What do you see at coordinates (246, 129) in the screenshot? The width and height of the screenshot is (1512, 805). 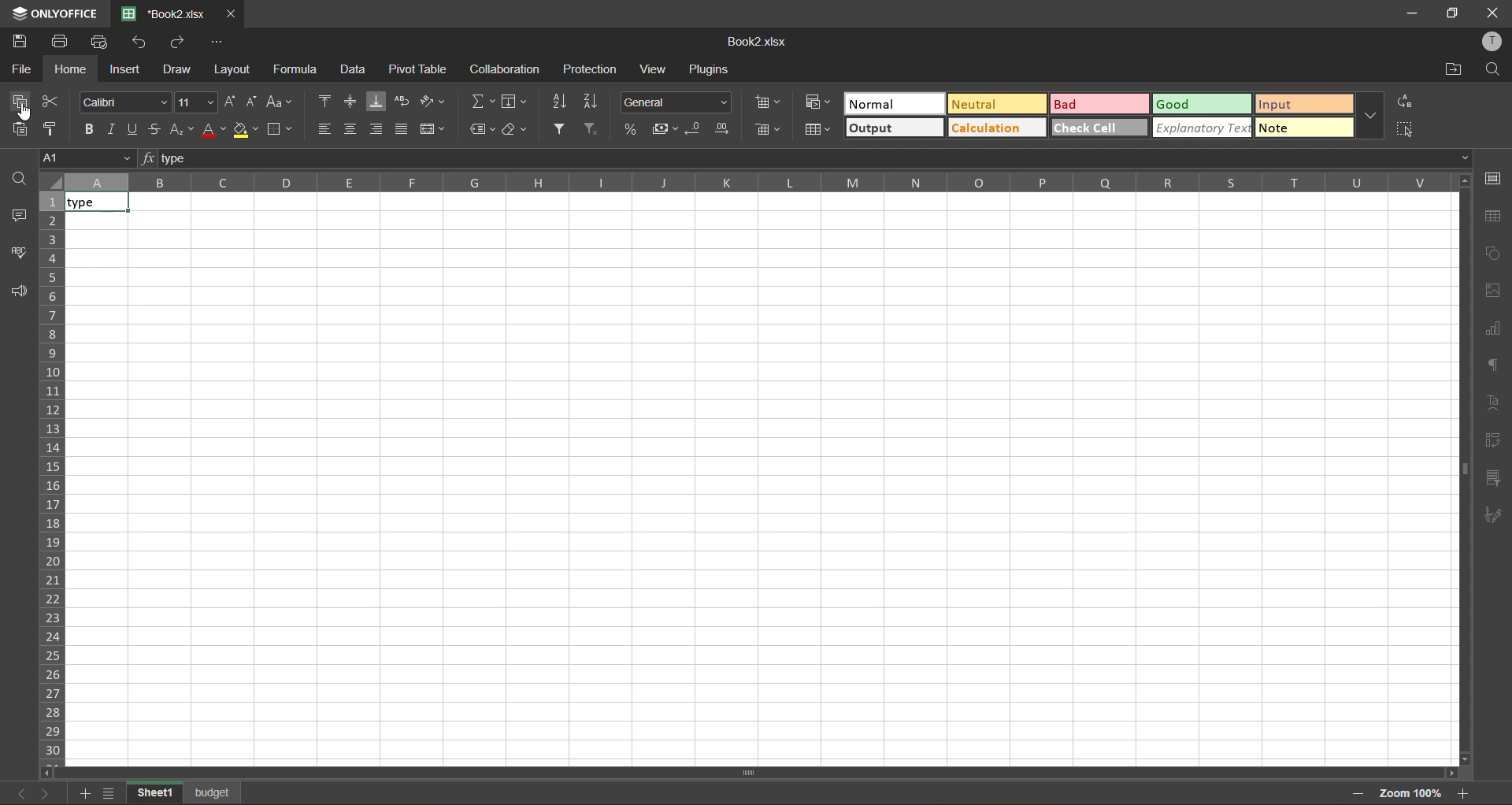 I see `fill color` at bounding box center [246, 129].